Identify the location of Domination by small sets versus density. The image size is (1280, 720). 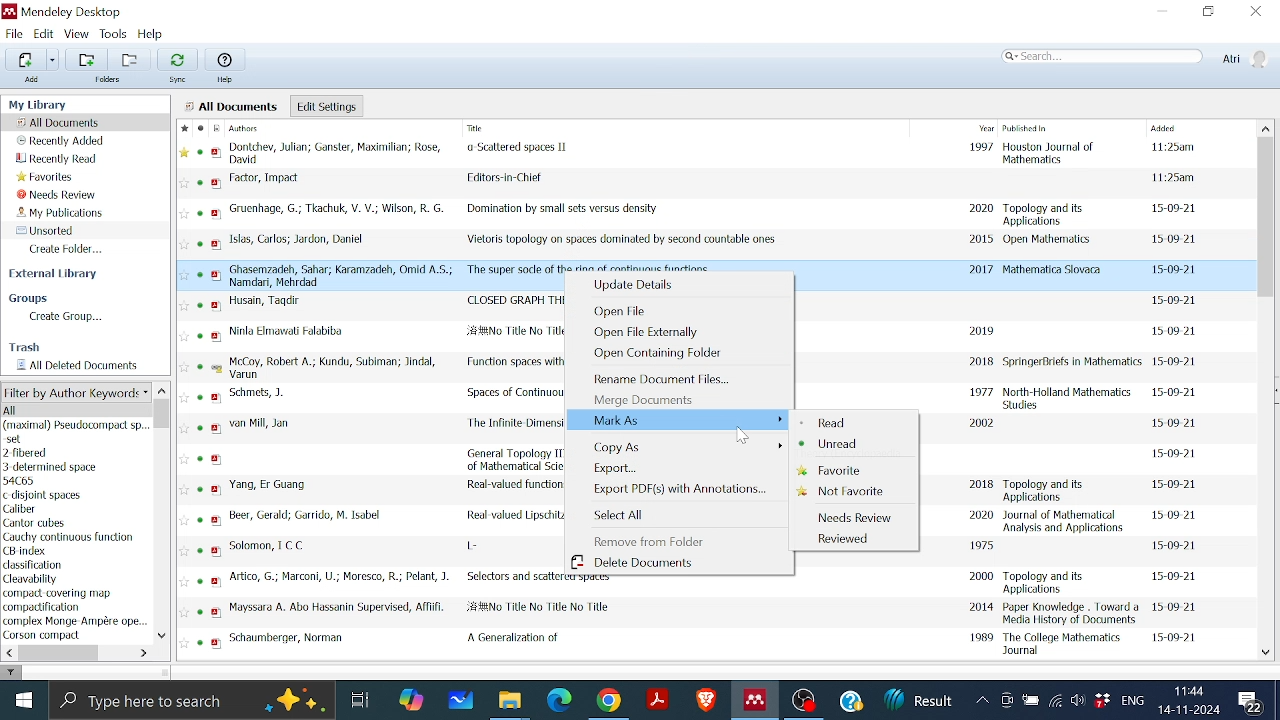
(705, 215).